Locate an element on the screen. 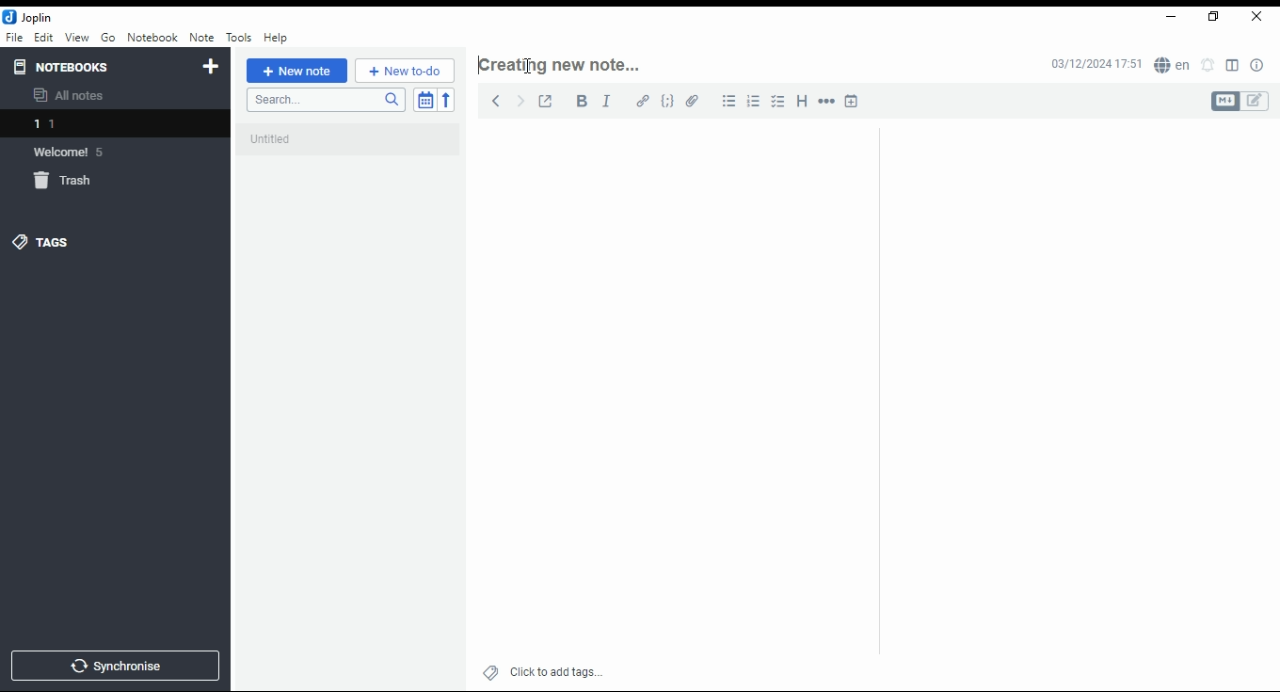  new note is located at coordinates (296, 71).